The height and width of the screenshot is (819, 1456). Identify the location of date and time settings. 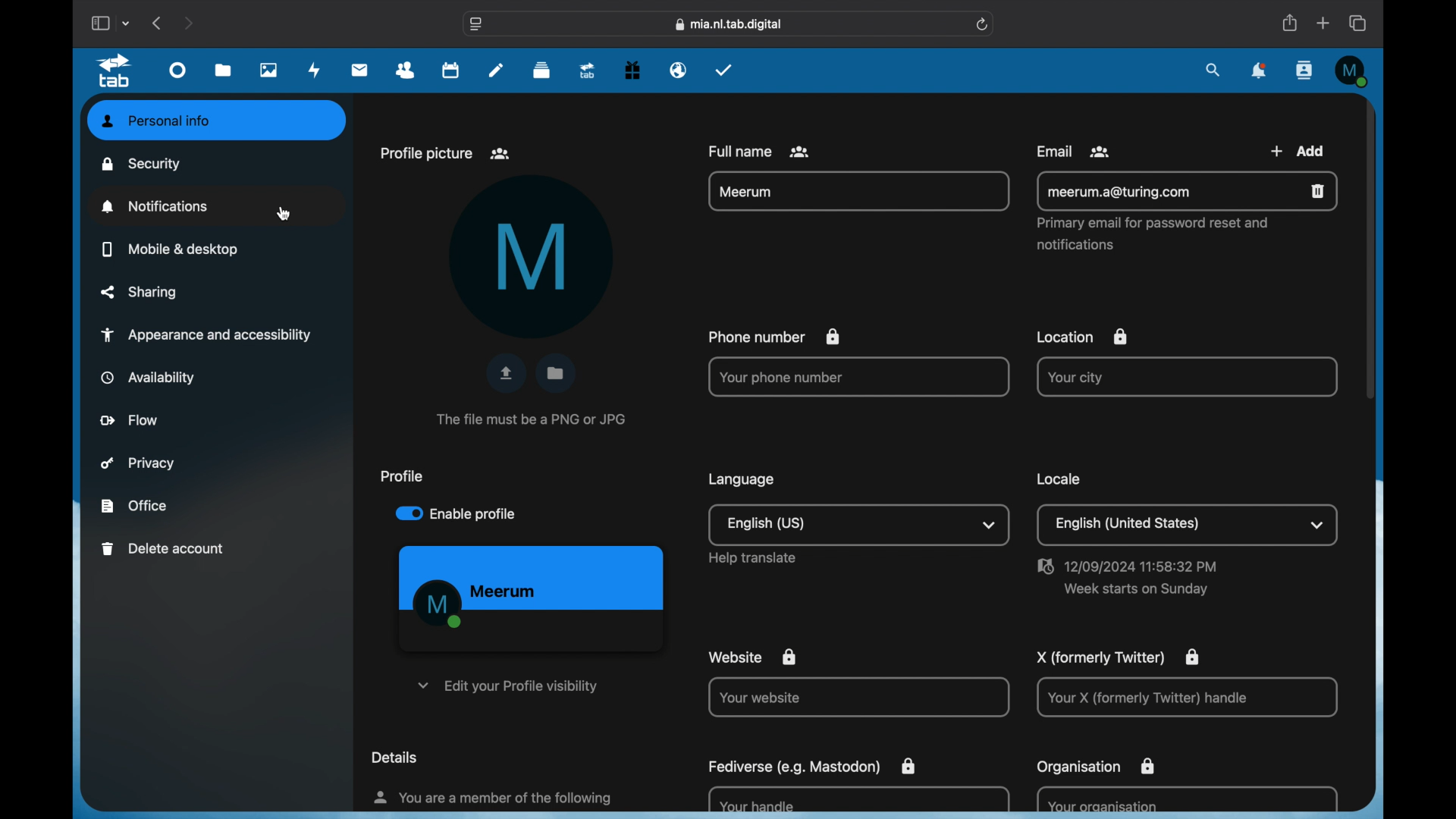
(1128, 578).